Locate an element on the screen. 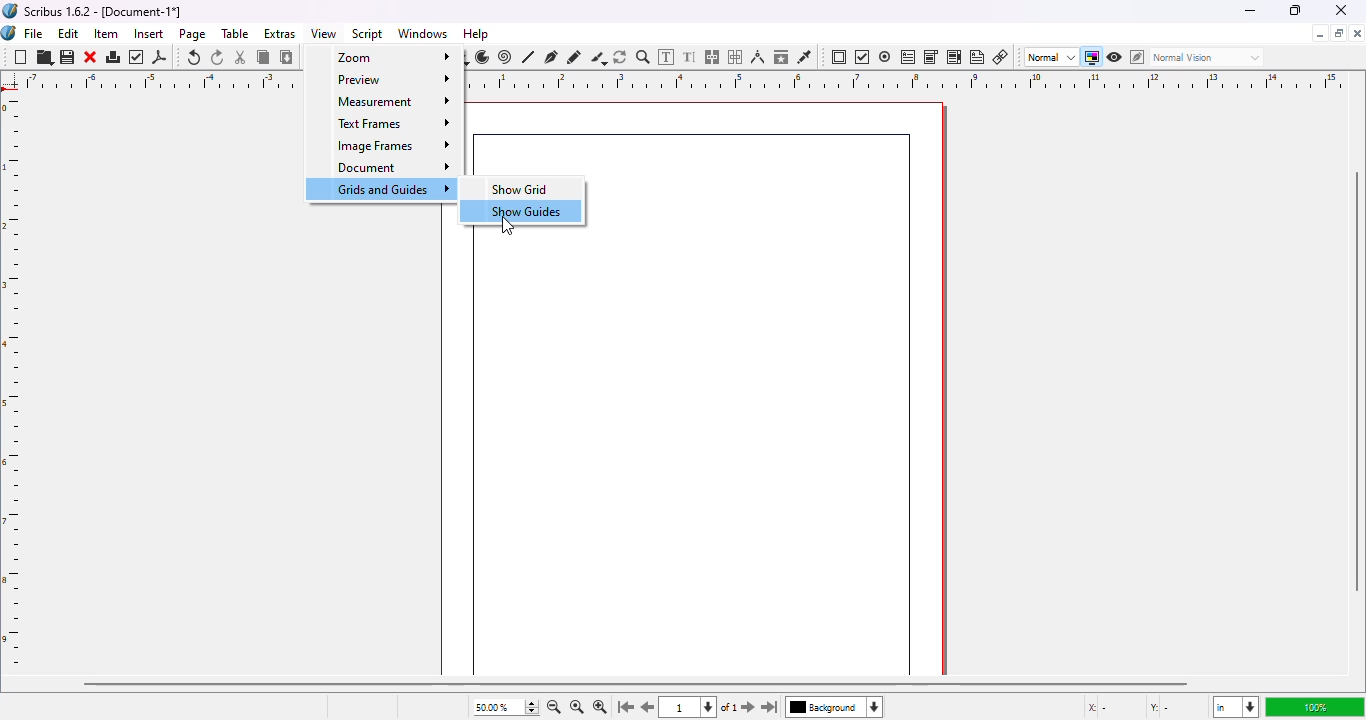 The width and height of the screenshot is (1366, 720). PDF combo box is located at coordinates (931, 57).